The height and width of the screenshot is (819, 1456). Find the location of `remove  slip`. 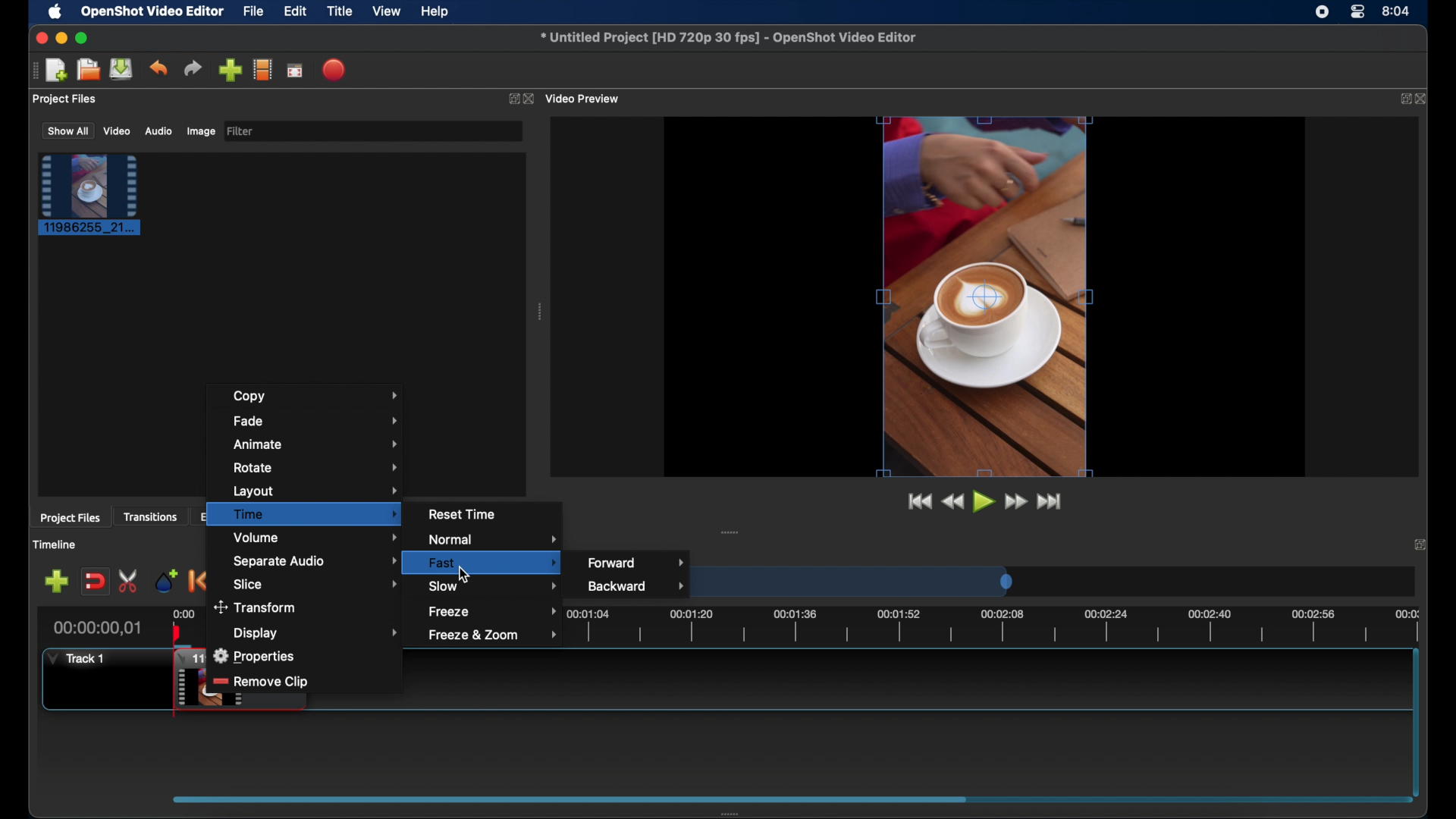

remove  slip is located at coordinates (262, 682).